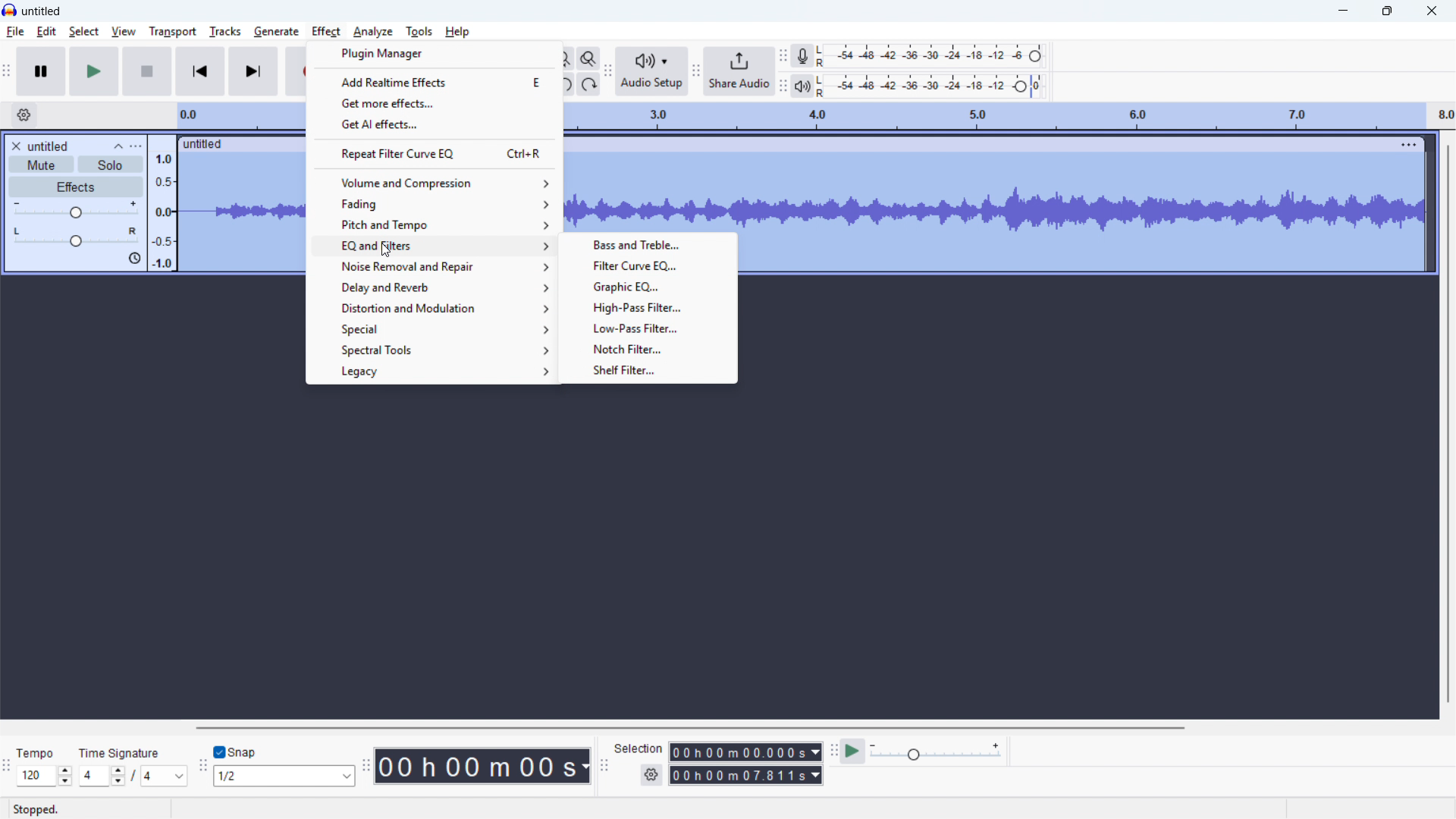 The image size is (1456, 819). Describe the element at coordinates (49, 146) in the screenshot. I see `track title` at that location.